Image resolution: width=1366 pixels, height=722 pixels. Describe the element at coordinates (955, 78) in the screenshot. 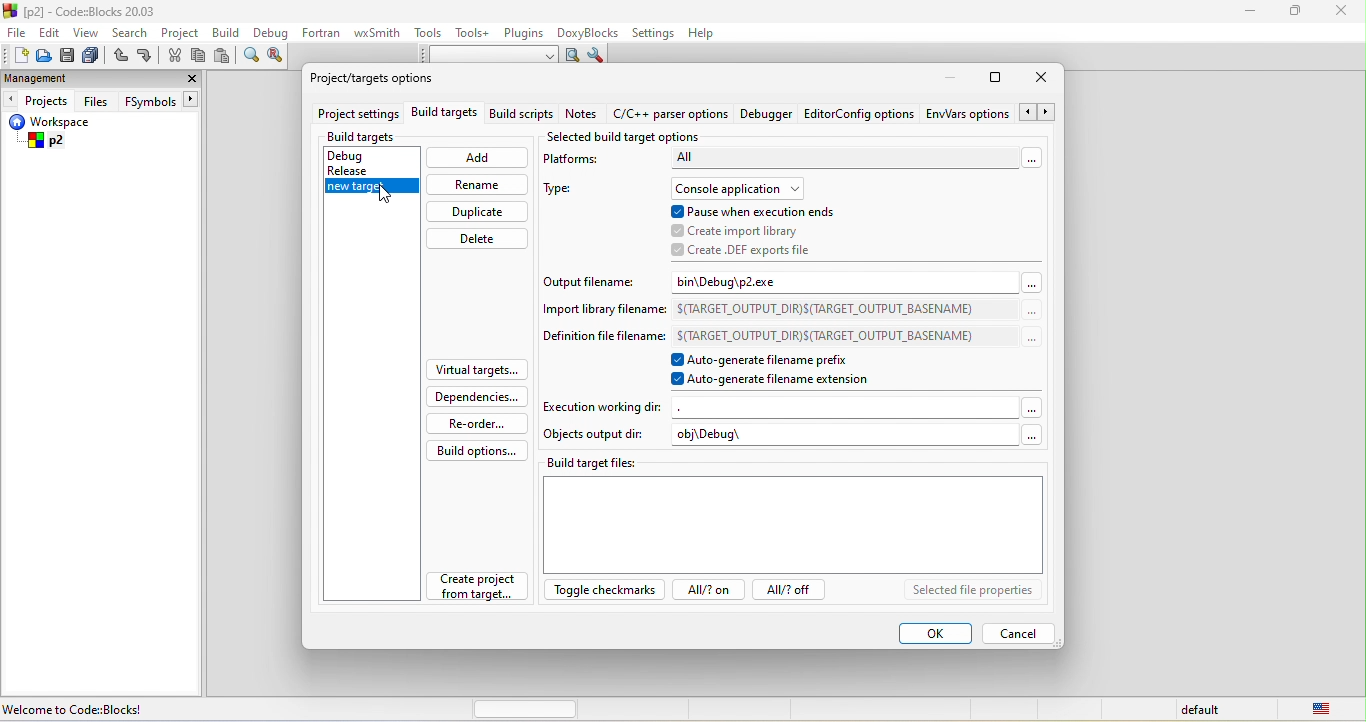

I see `minimize` at that location.